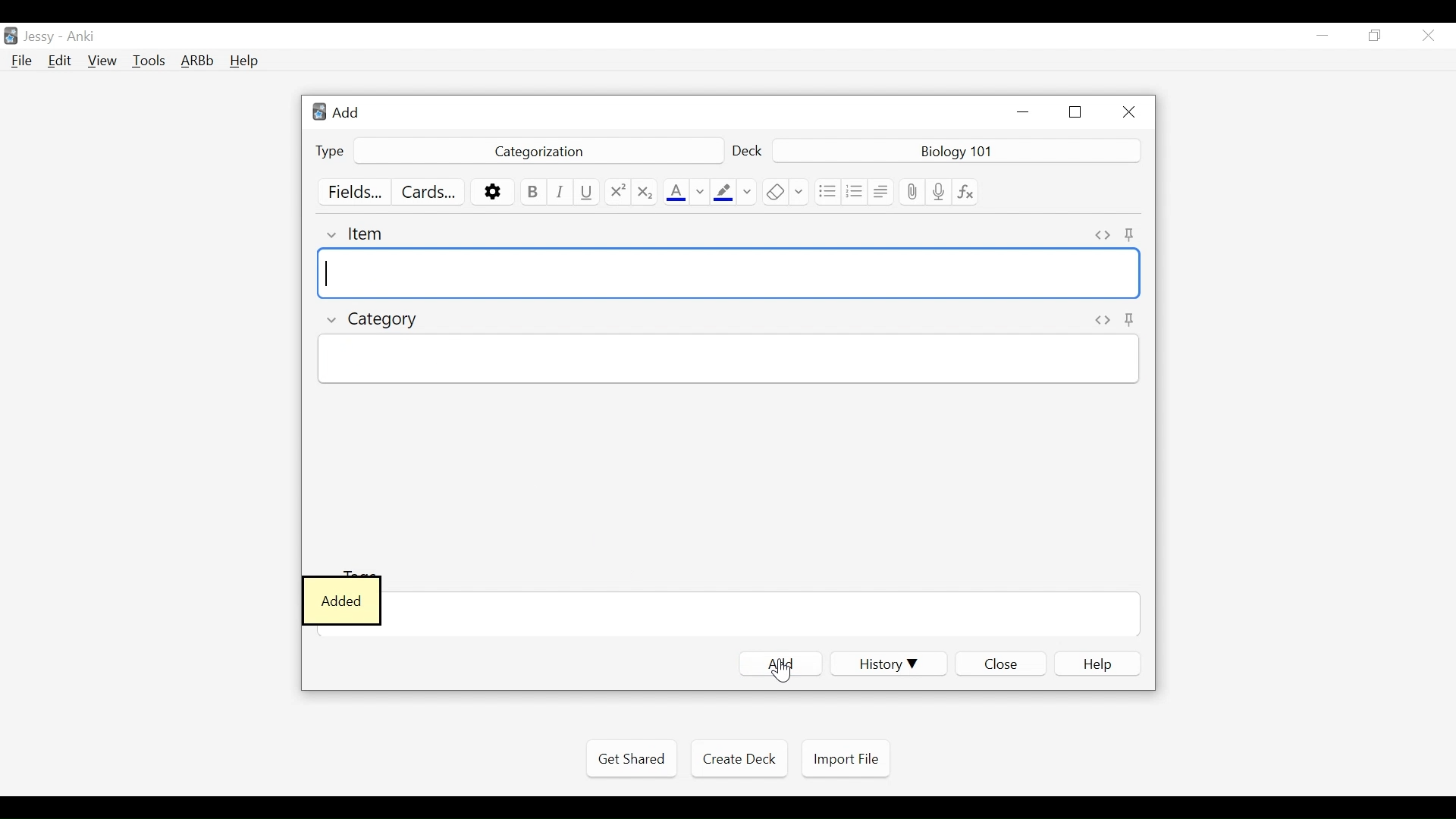 Image resolution: width=1456 pixels, height=819 pixels. What do you see at coordinates (536, 152) in the screenshot?
I see `Categorization` at bounding box center [536, 152].